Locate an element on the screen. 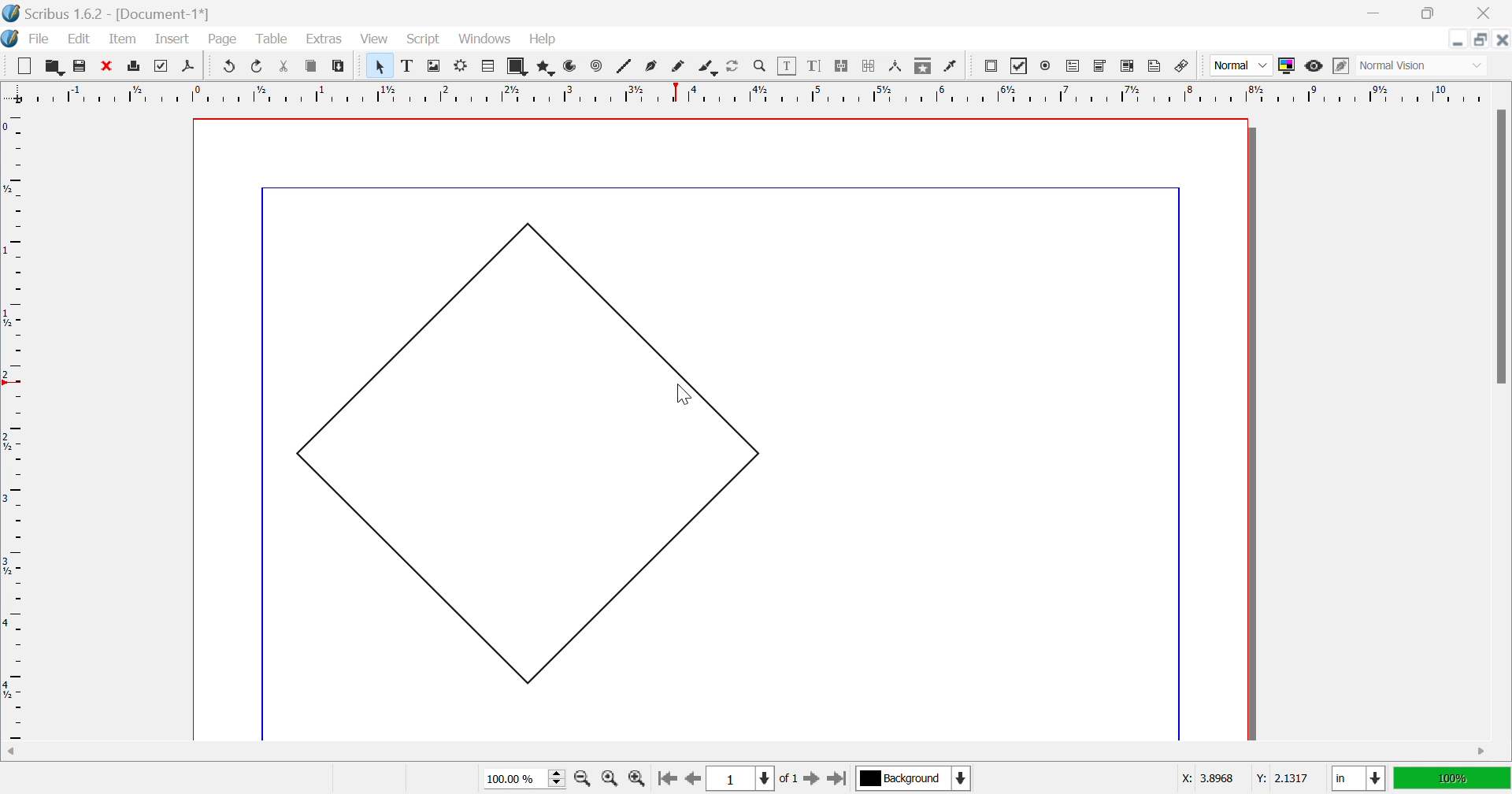  100.00% is located at coordinates (527, 779).